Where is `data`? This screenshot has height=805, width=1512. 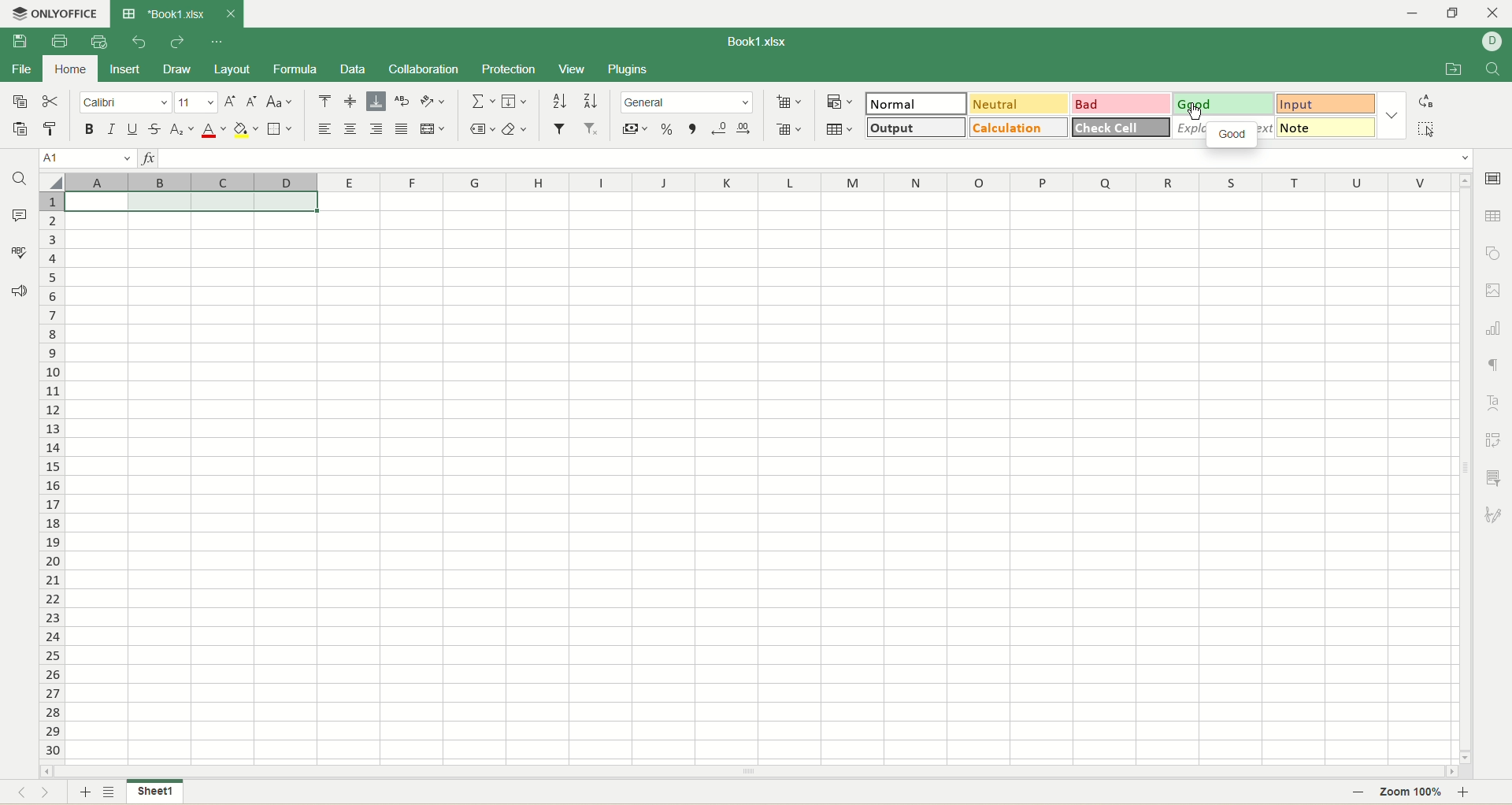 data is located at coordinates (351, 71).